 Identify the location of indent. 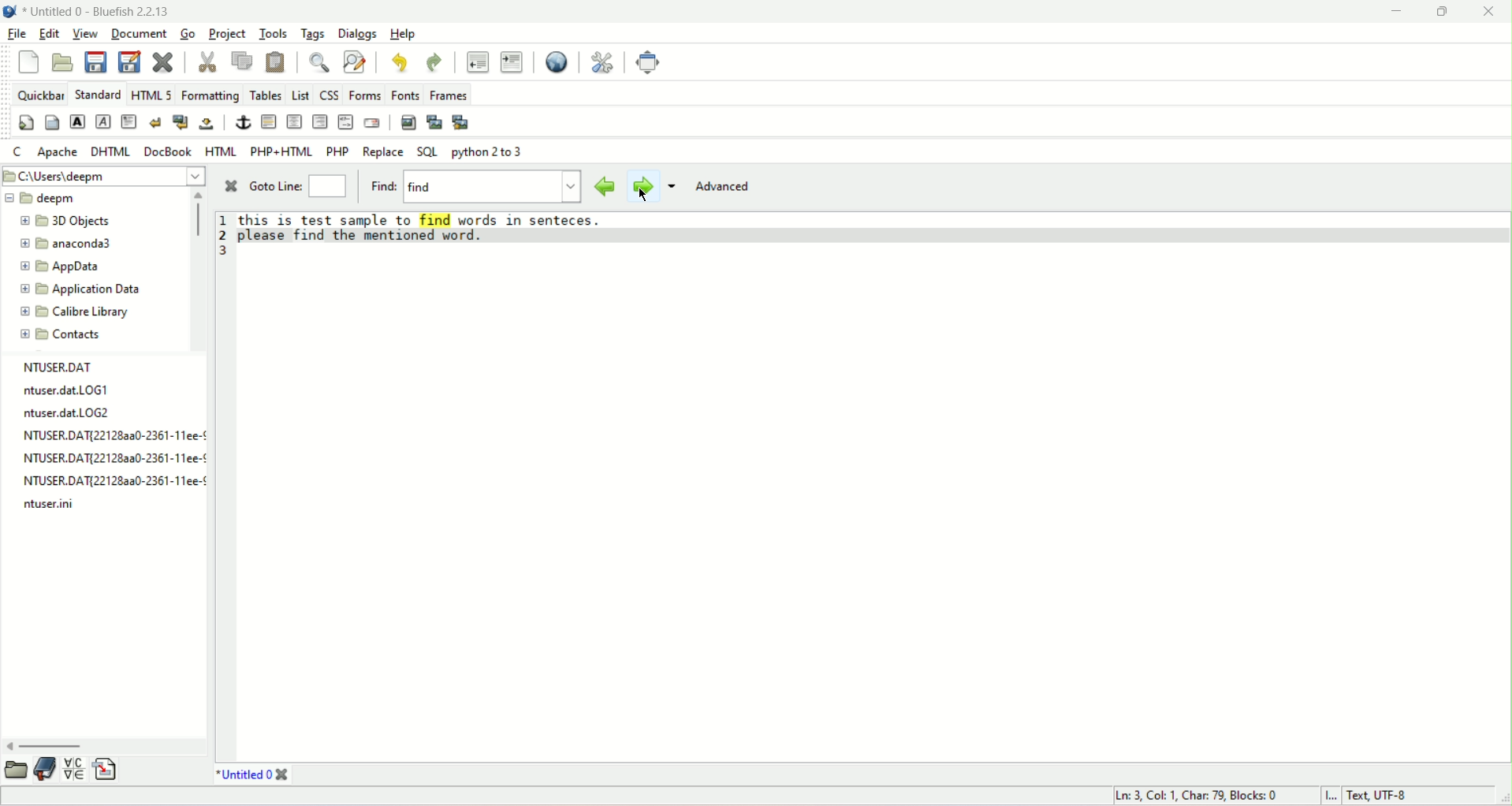
(512, 62).